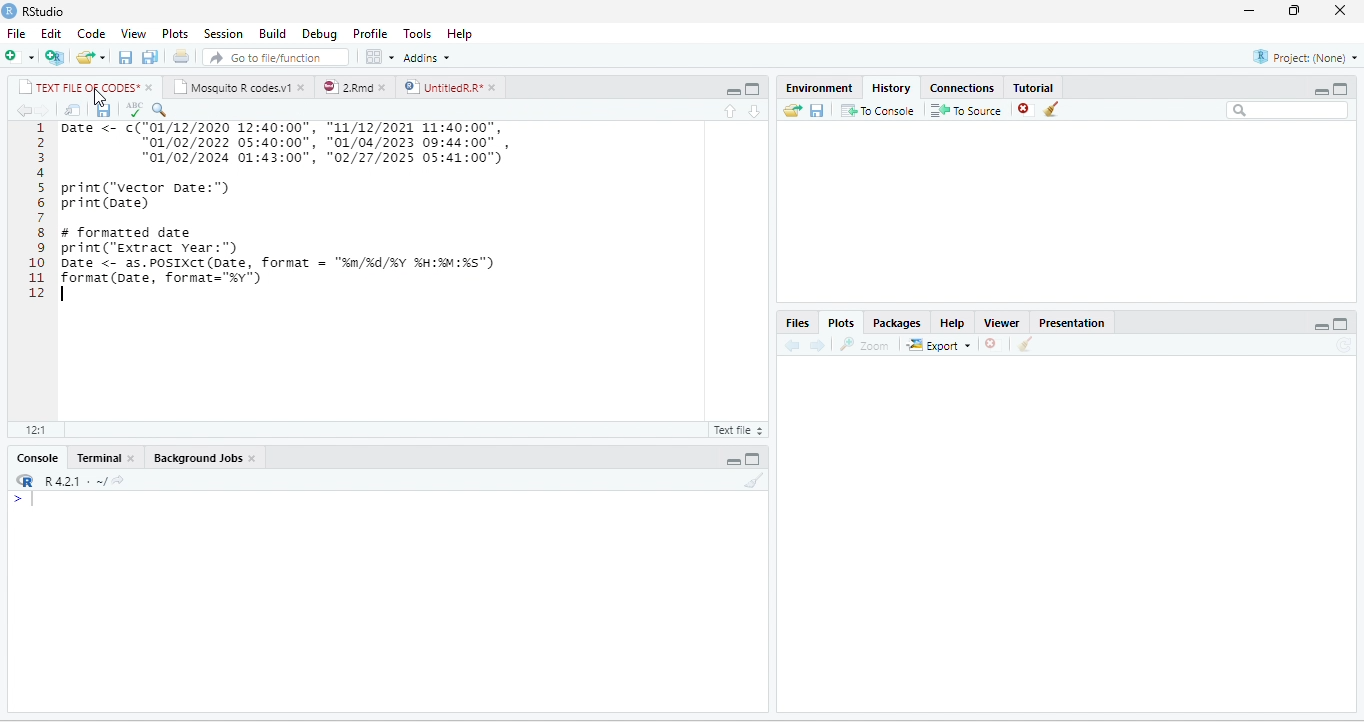 The height and width of the screenshot is (722, 1364). What do you see at coordinates (898, 323) in the screenshot?
I see `Packages` at bounding box center [898, 323].